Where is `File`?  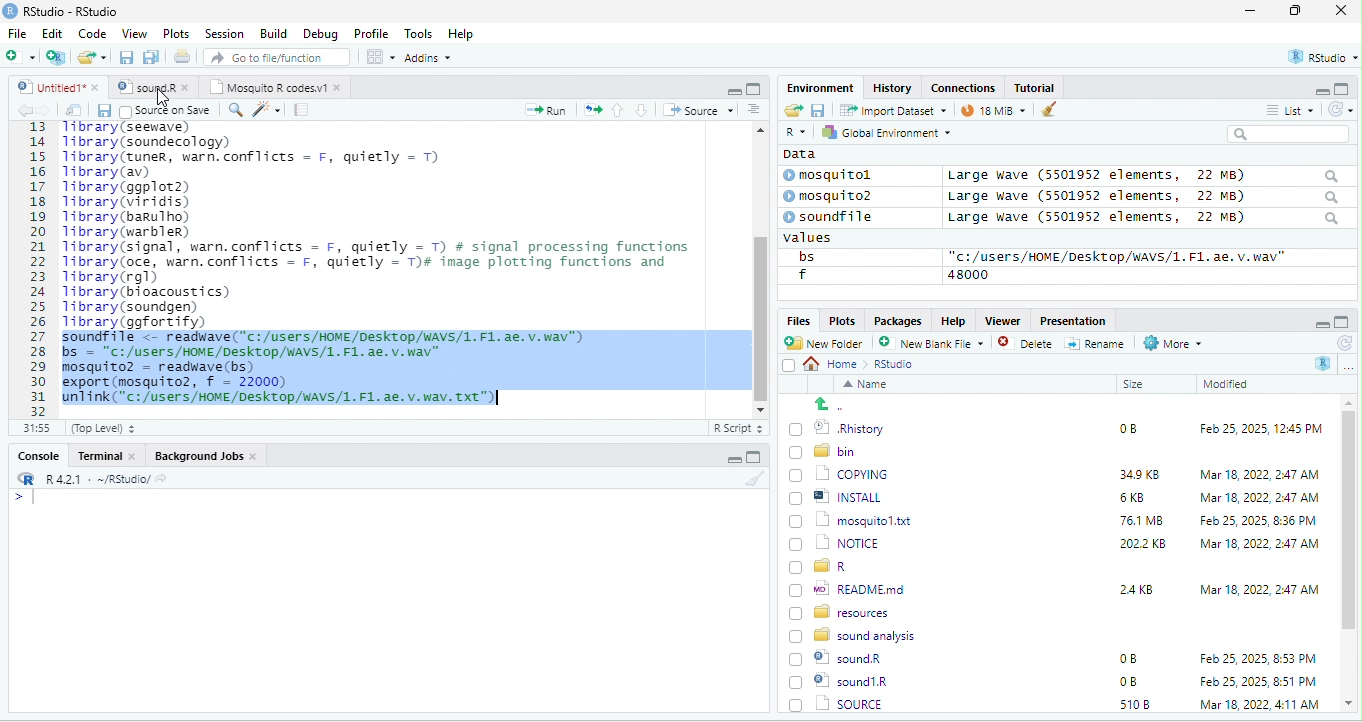
File is located at coordinates (17, 33).